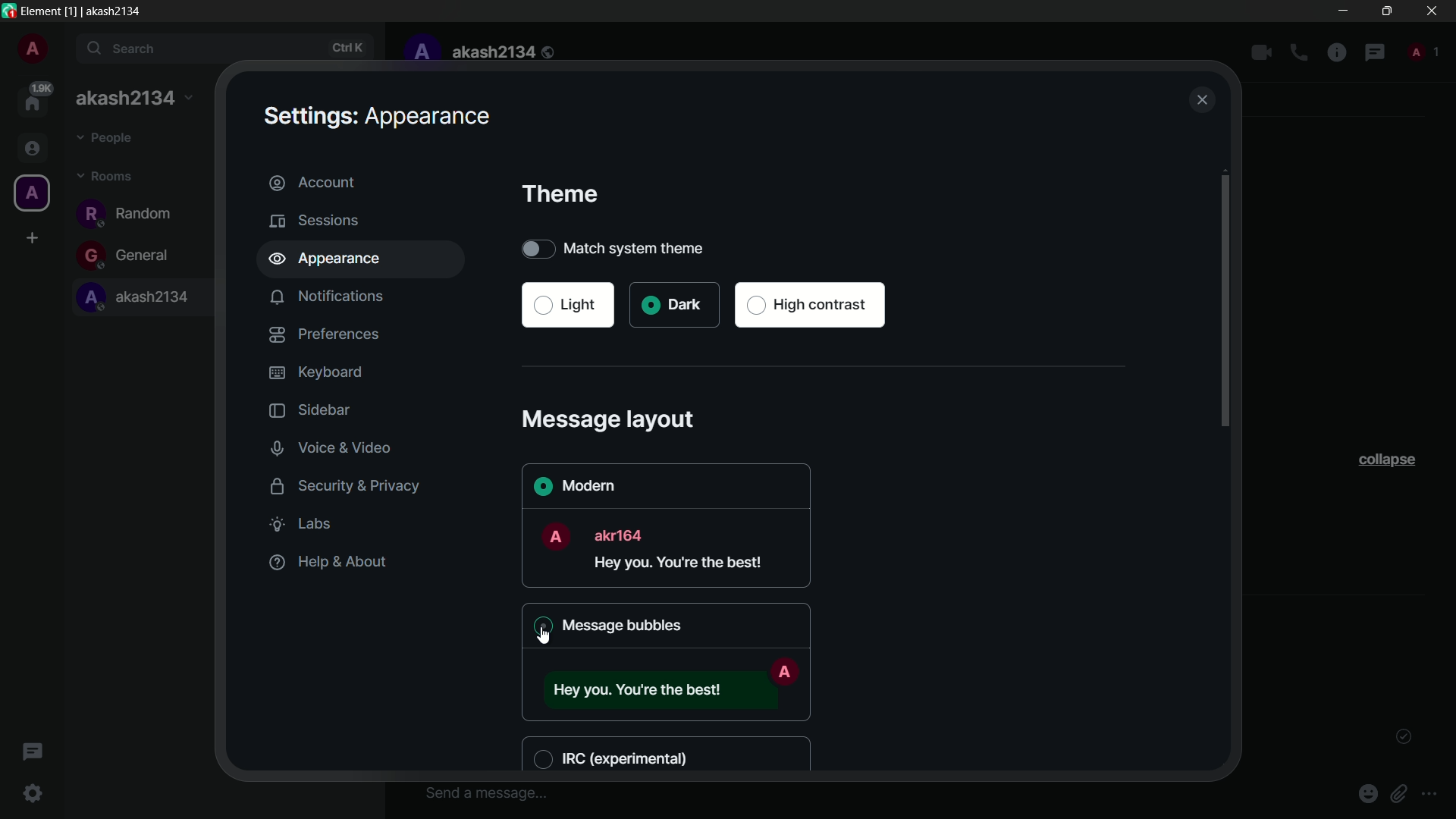  Describe the element at coordinates (372, 260) in the screenshot. I see `appearance` at that location.